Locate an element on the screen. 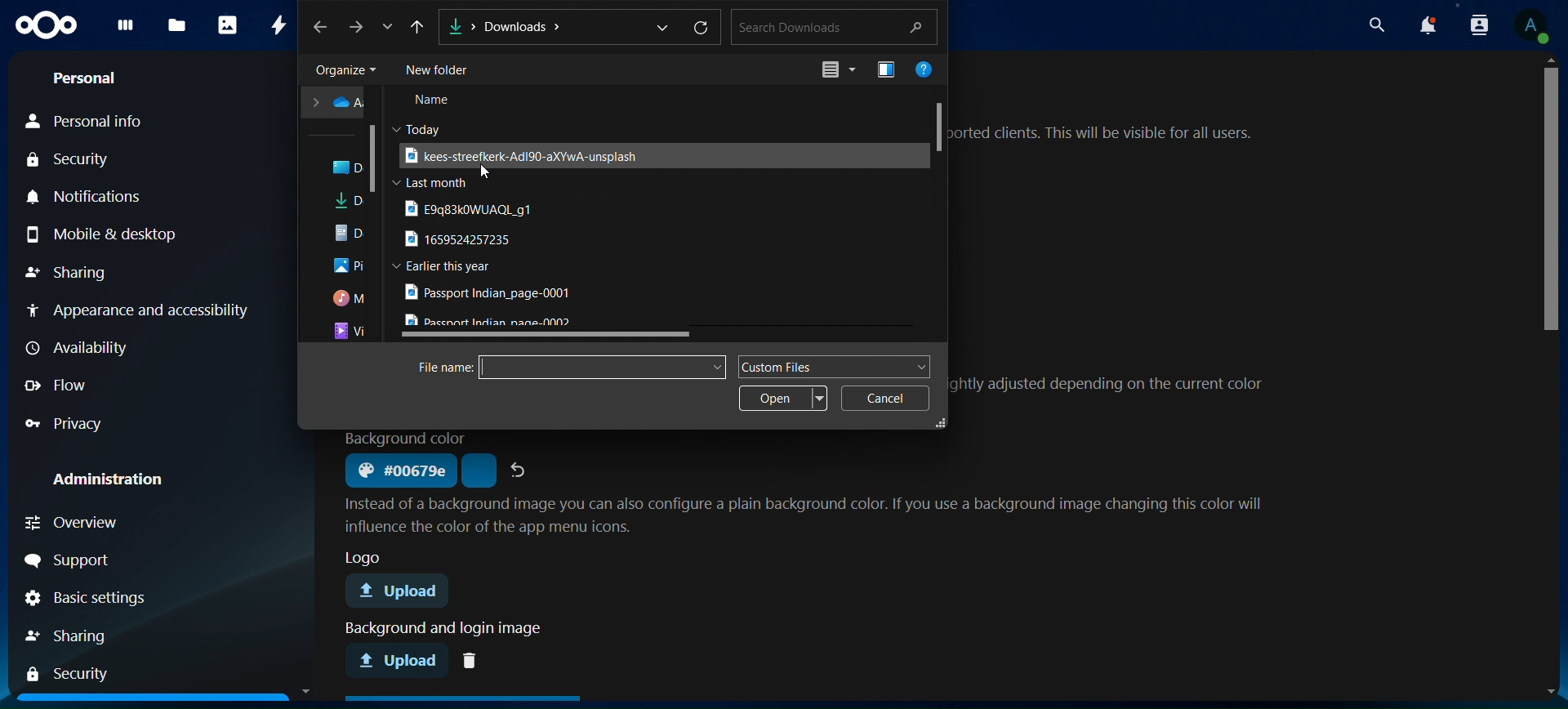  image background is located at coordinates (448, 628).